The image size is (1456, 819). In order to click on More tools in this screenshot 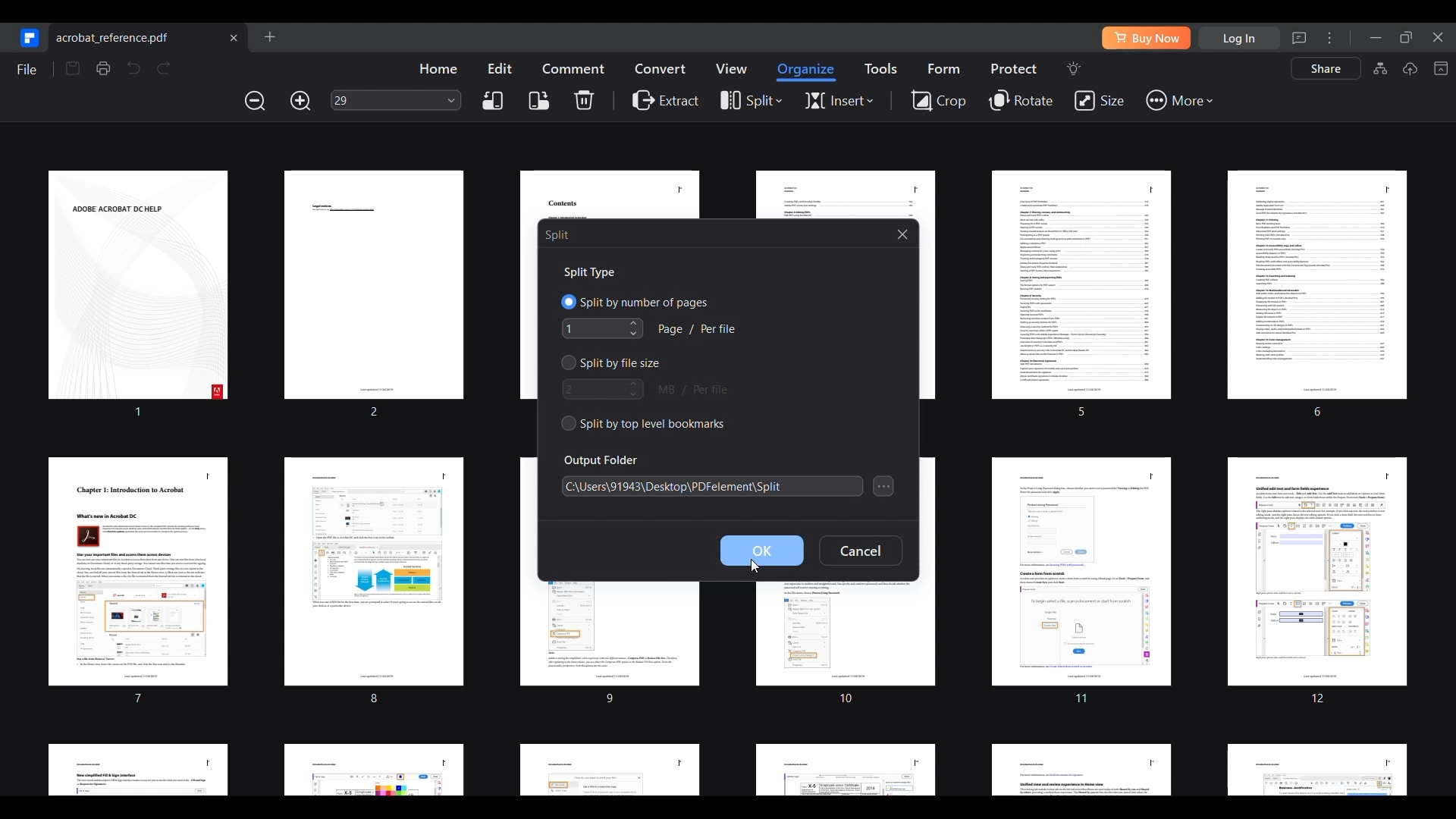, I will do `click(1178, 101)`.